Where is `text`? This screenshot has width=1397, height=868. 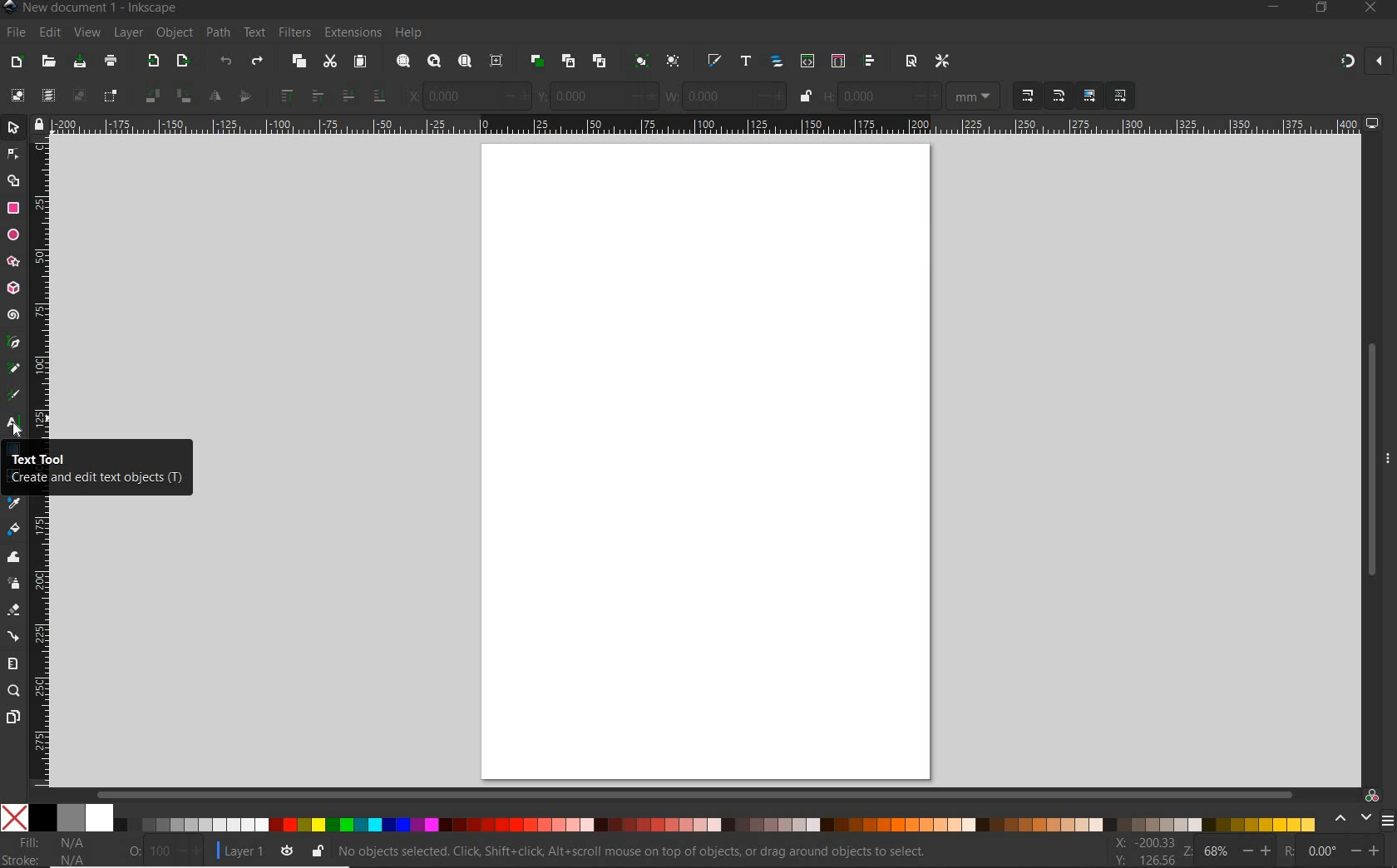
text is located at coordinates (252, 33).